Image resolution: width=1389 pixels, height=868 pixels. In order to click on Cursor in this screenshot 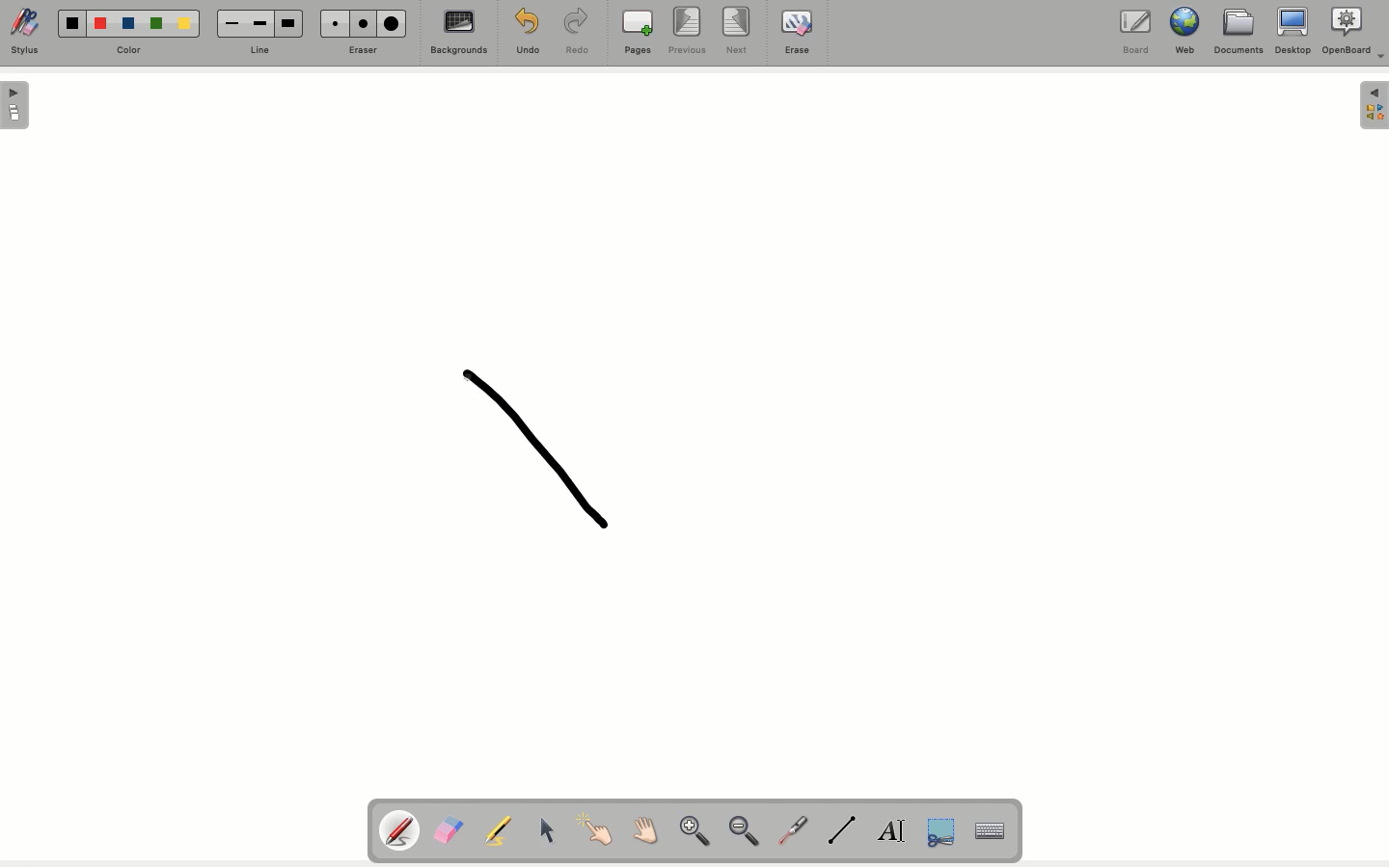, I will do `click(545, 827)`.